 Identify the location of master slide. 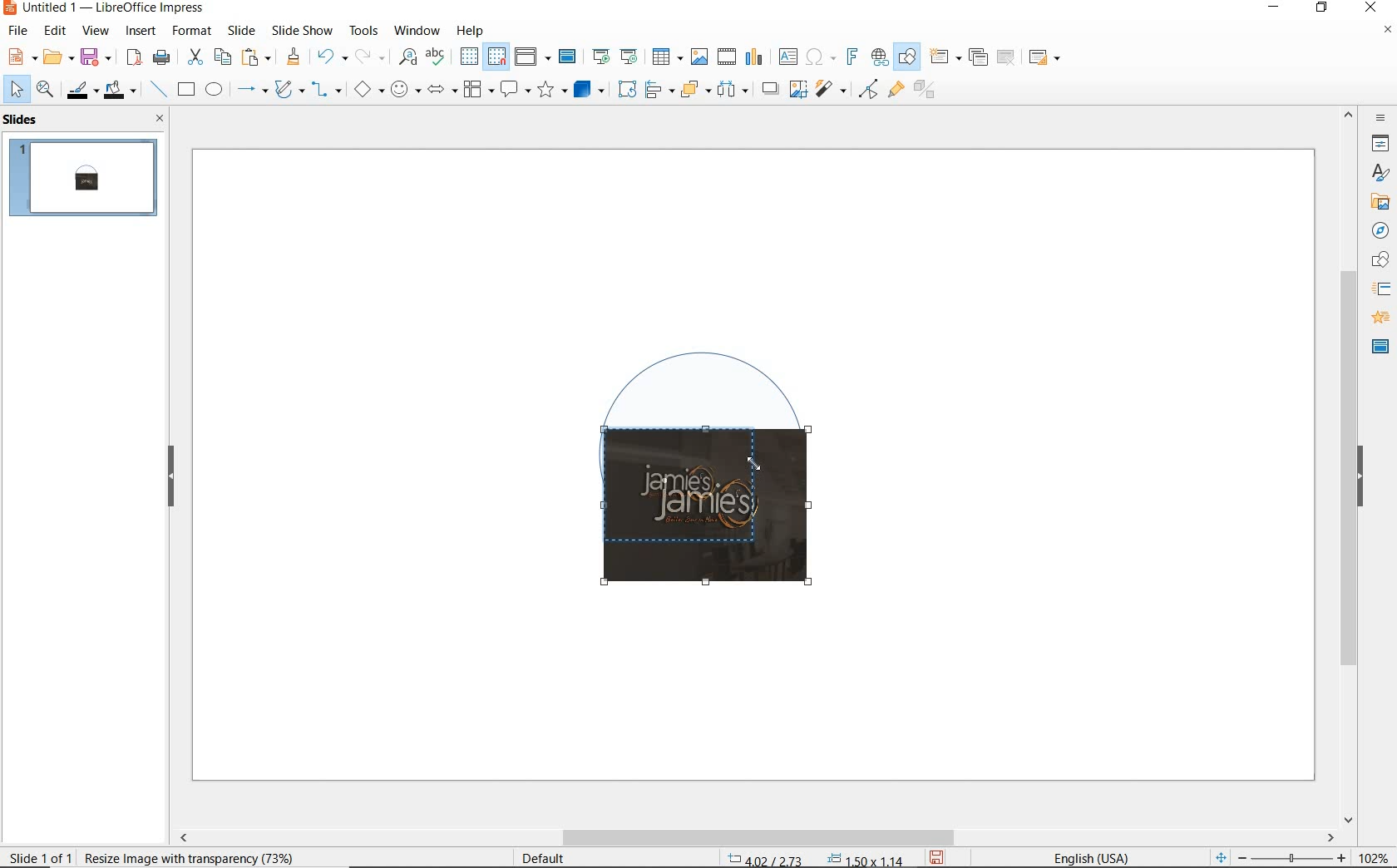
(570, 57).